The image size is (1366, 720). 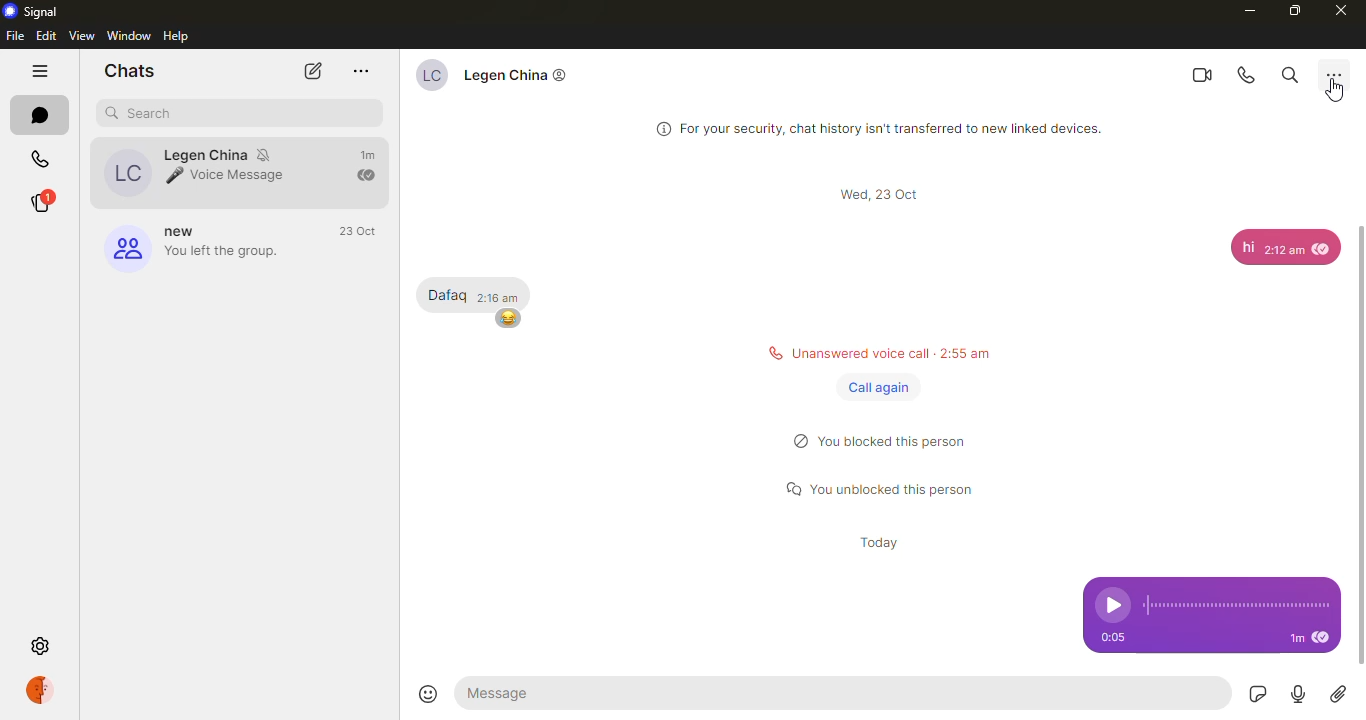 What do you see at coordinates (43, 154) in the screenshot?
I see `calls` at bounding box center [43, 154].